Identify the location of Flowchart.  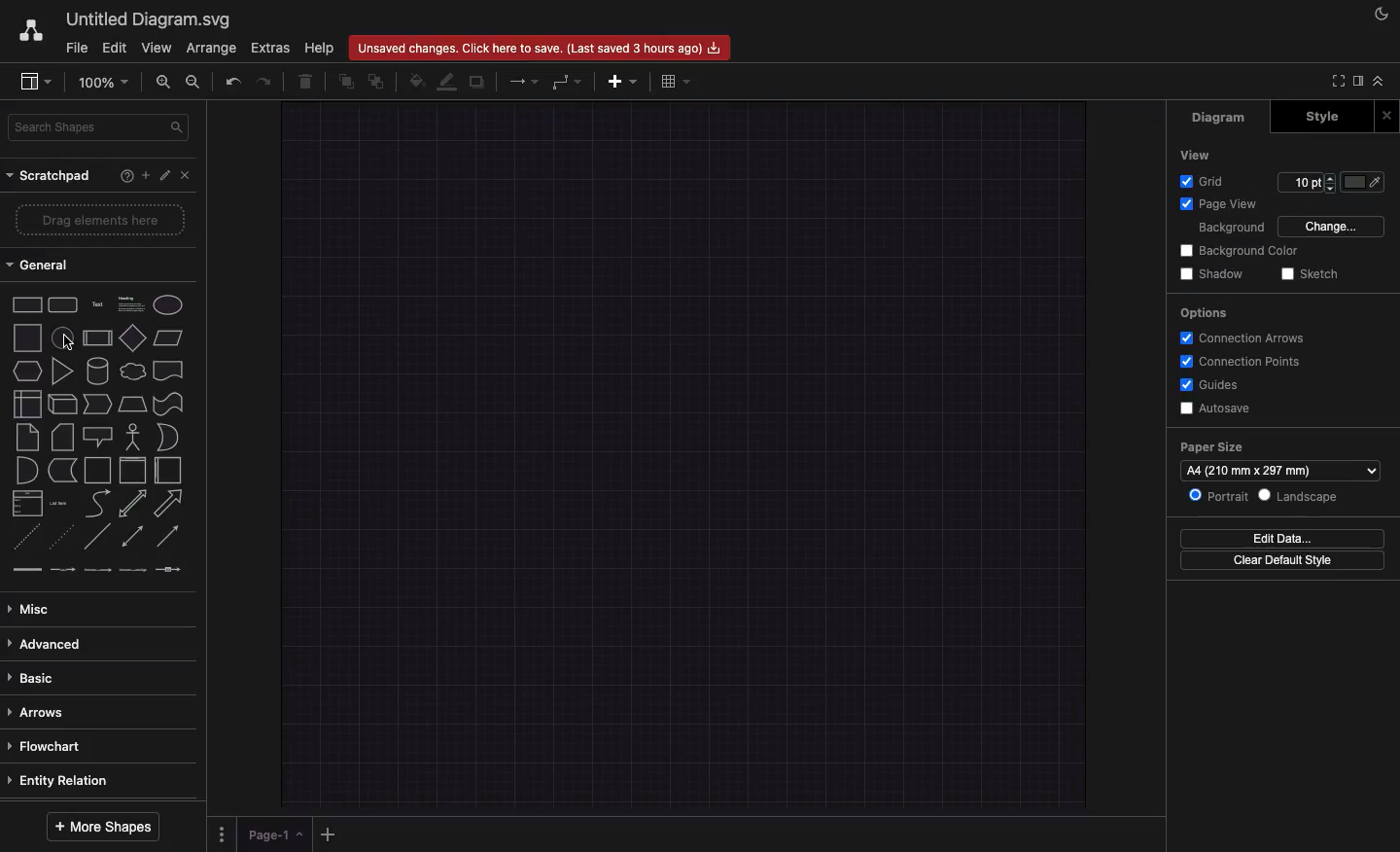
(51, 749).